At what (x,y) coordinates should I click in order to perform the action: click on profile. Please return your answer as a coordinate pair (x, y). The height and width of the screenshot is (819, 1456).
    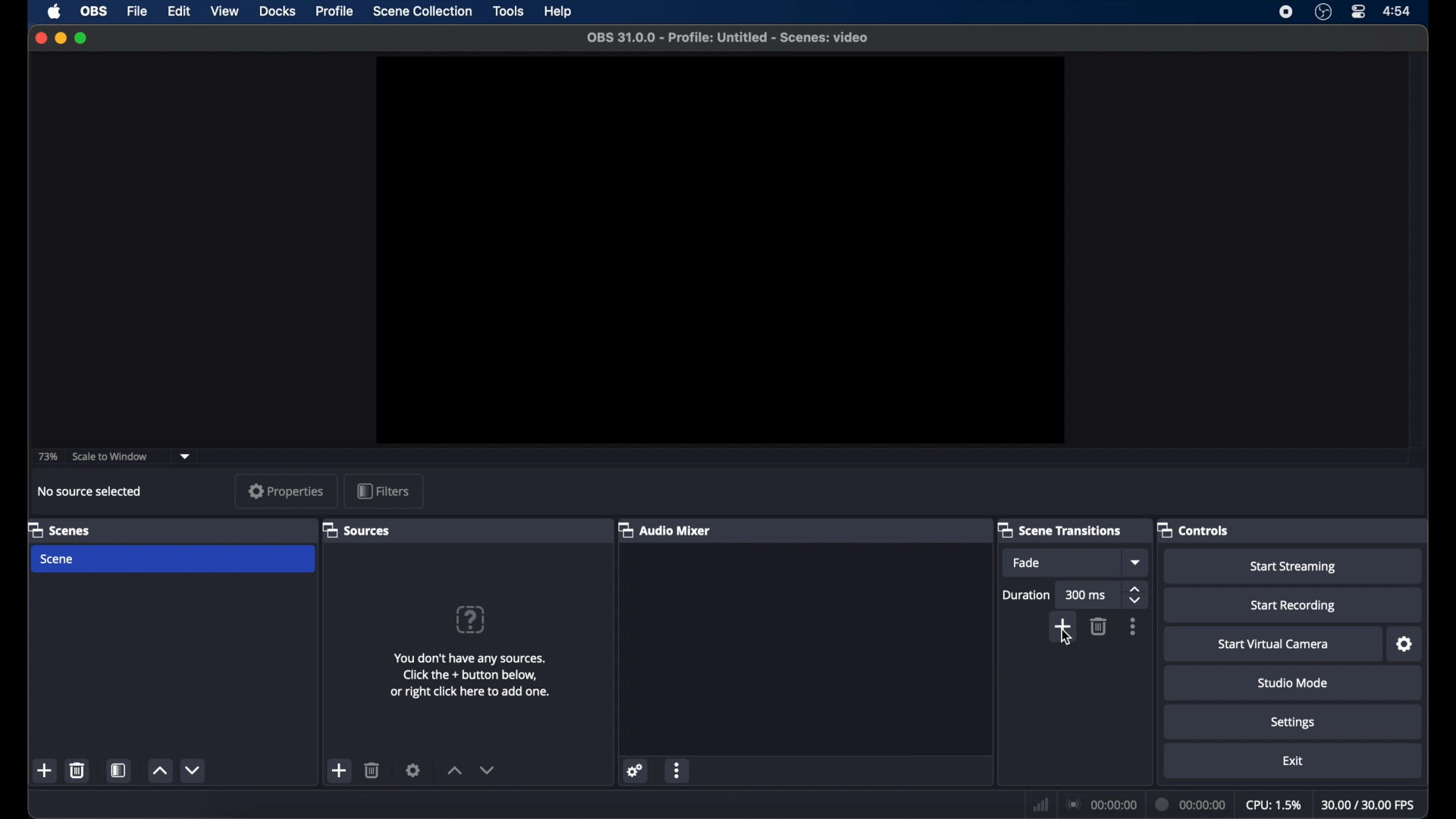
    Looking at the image, I should click on (335, 12).